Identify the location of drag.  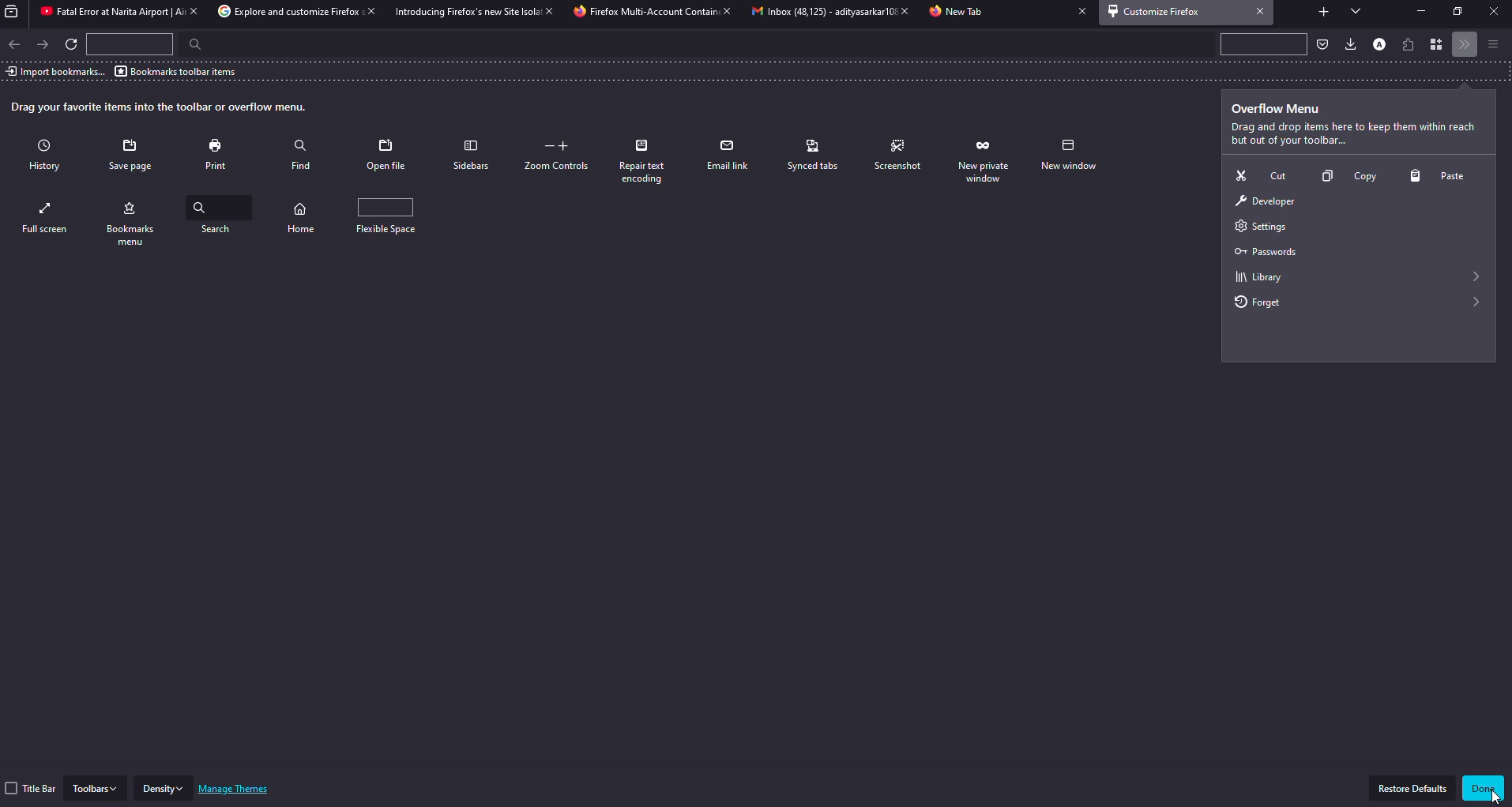
(161, 107).